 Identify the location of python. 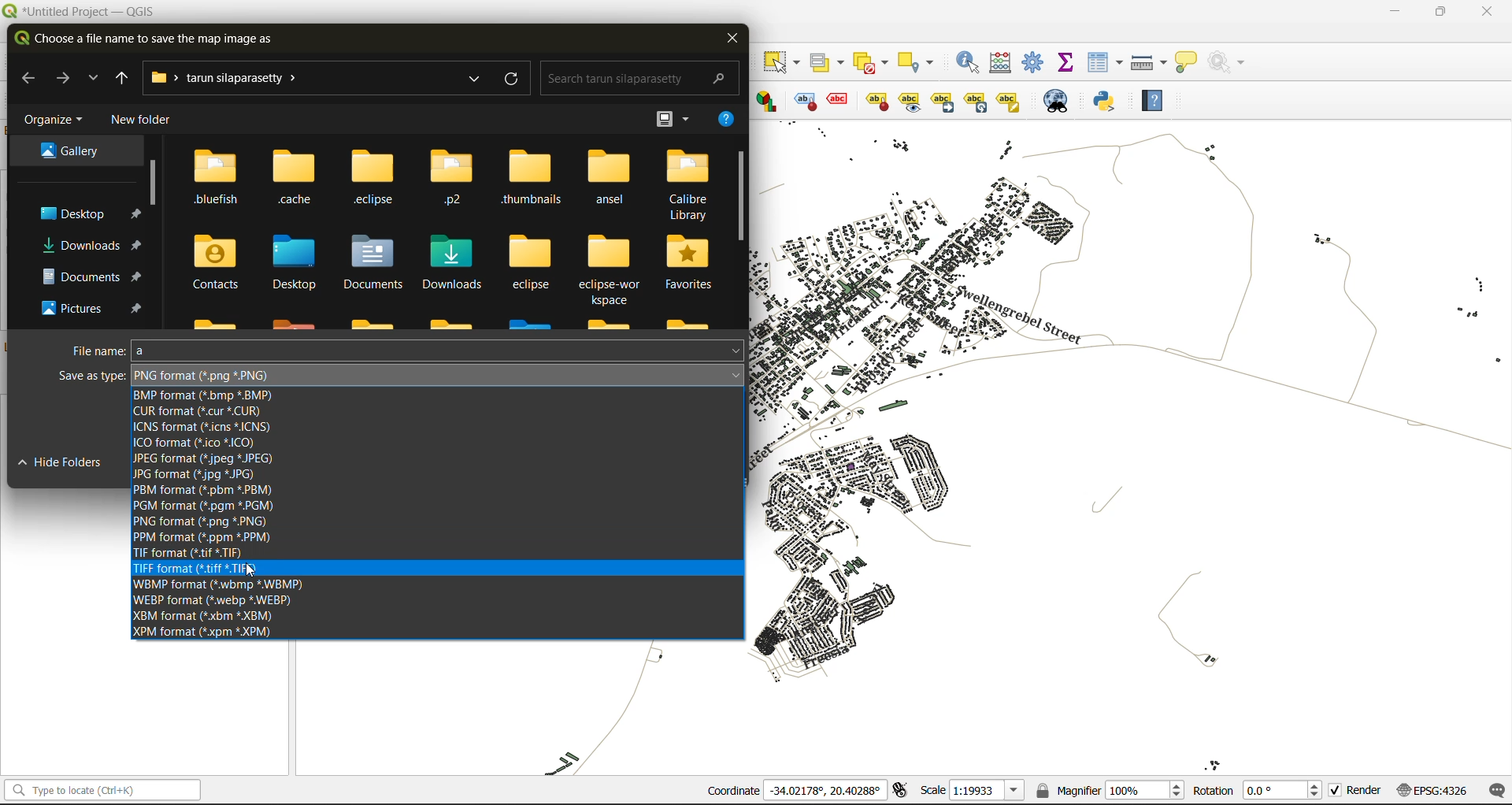
(1111, 102).